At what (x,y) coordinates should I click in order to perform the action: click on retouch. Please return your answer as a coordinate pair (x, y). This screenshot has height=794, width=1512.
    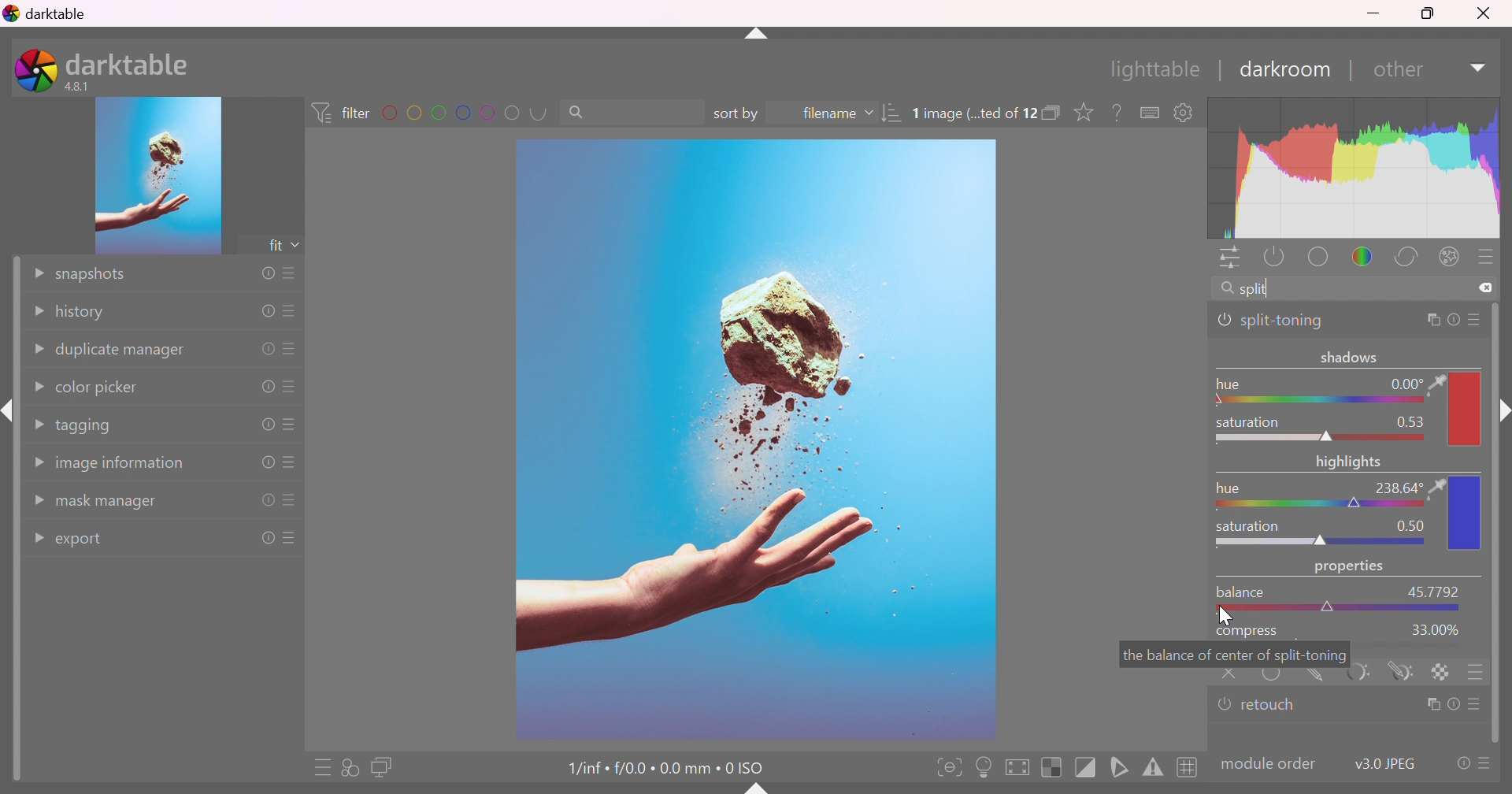
    Looking at the image, I should click on (1266, 702).